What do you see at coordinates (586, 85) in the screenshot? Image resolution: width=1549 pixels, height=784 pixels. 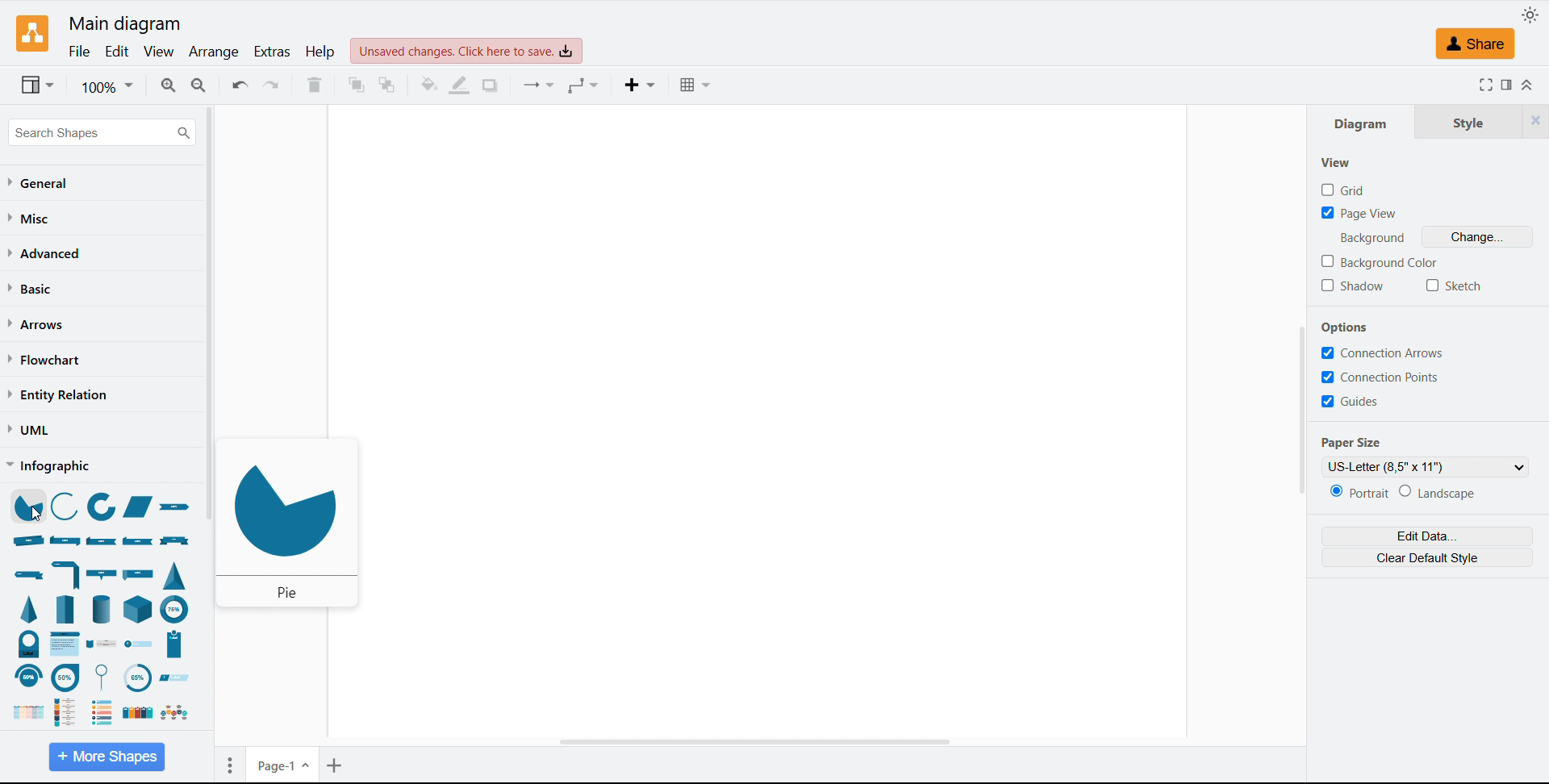 I see `Waypoints ` at bounding box center [586, 85].